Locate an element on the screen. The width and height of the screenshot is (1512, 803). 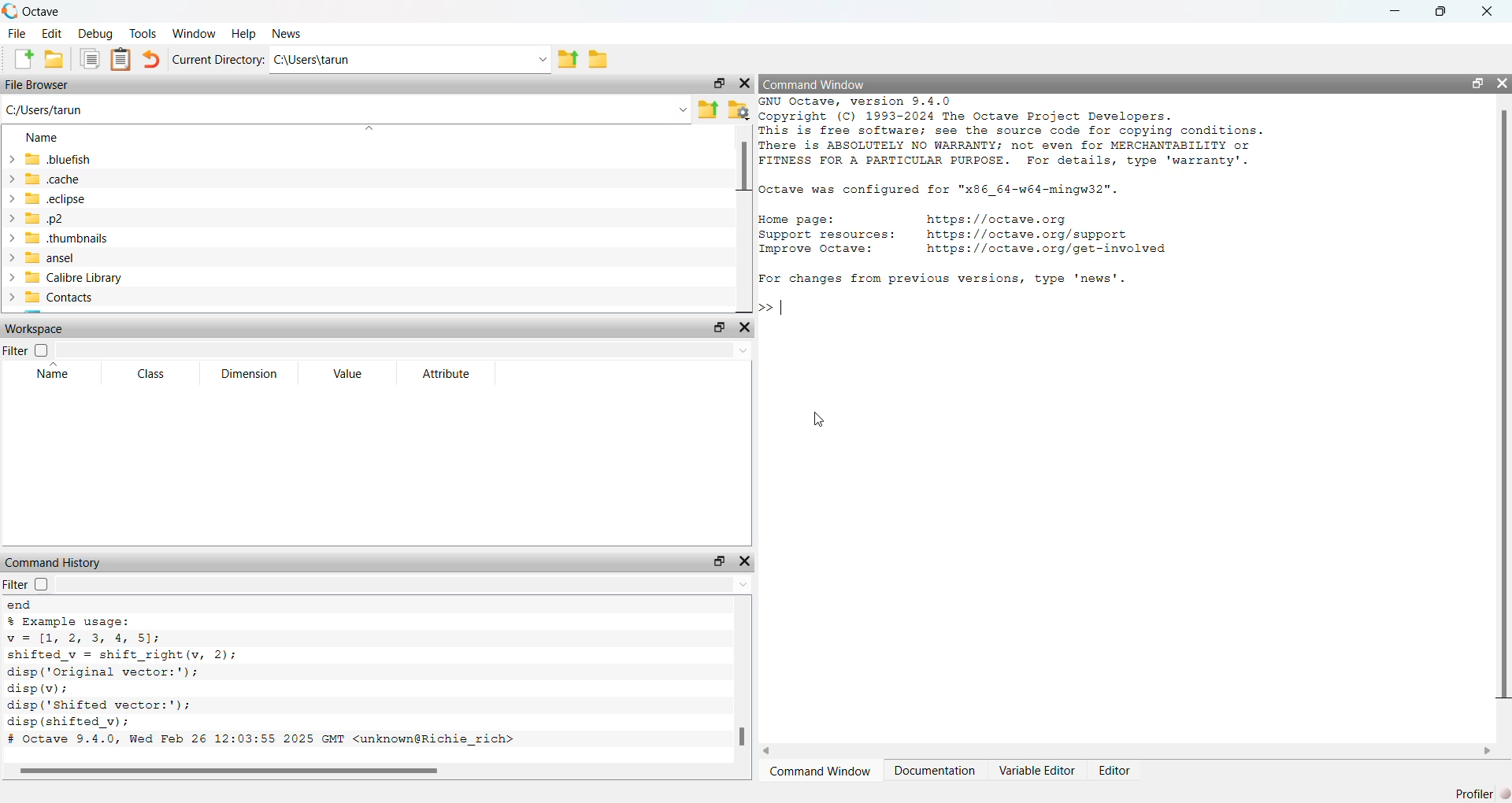
unlock widget is located at coordinates (1473, 84).